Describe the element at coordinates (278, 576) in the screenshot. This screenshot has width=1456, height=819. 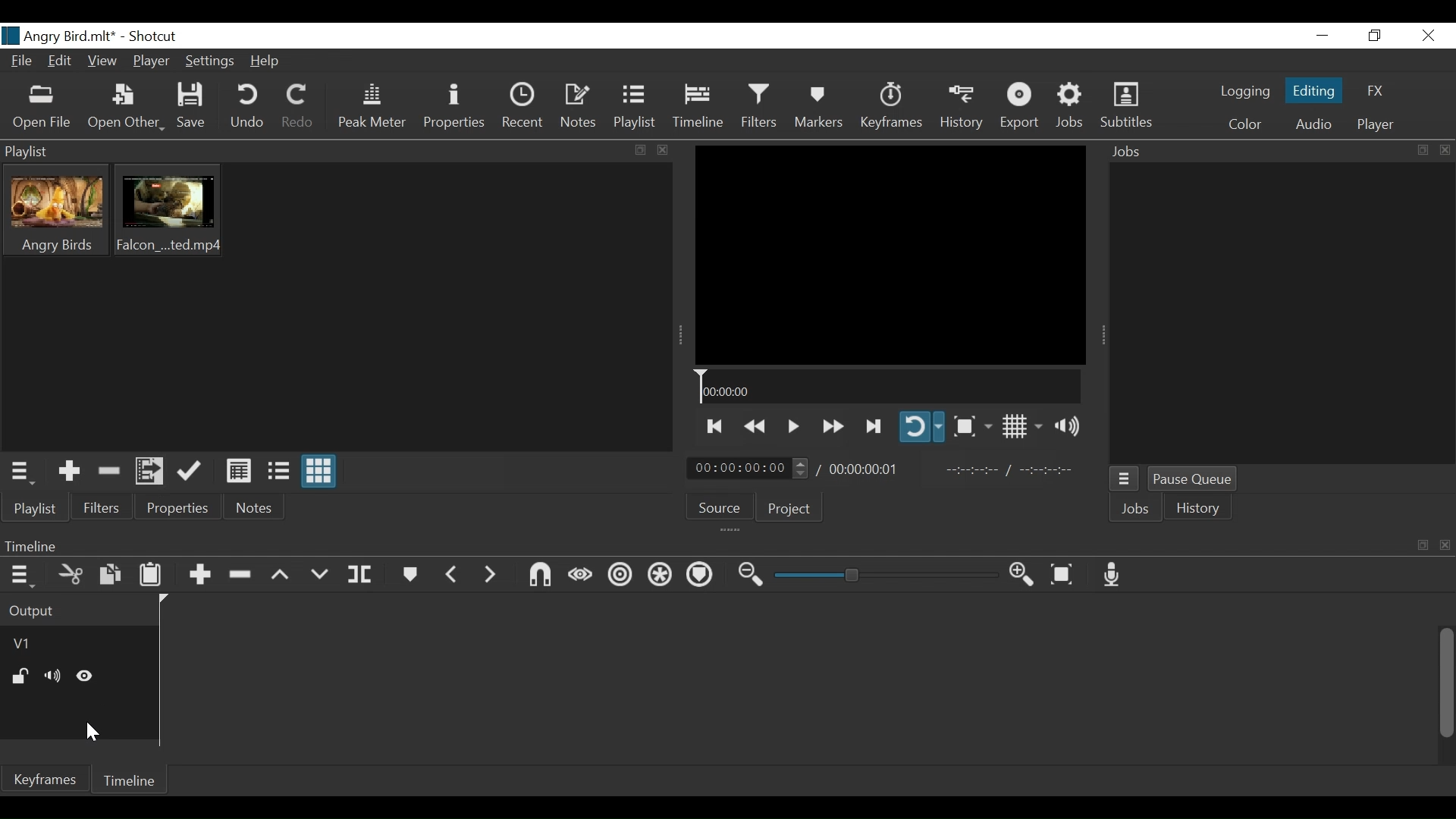
I see `Lift` at that location.